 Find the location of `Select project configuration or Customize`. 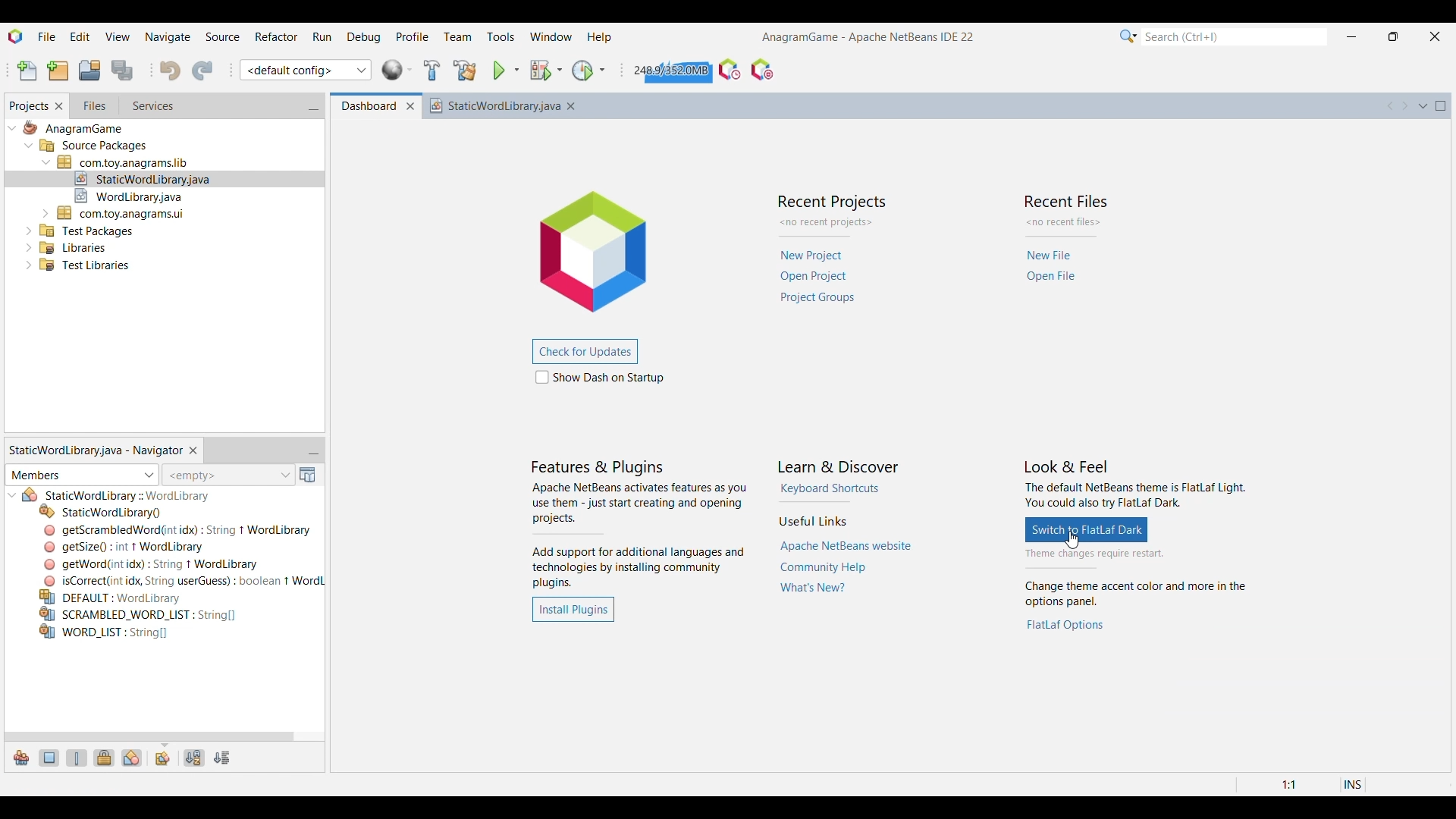

Select project configuration or Customize is located at coordinates (306, 70).